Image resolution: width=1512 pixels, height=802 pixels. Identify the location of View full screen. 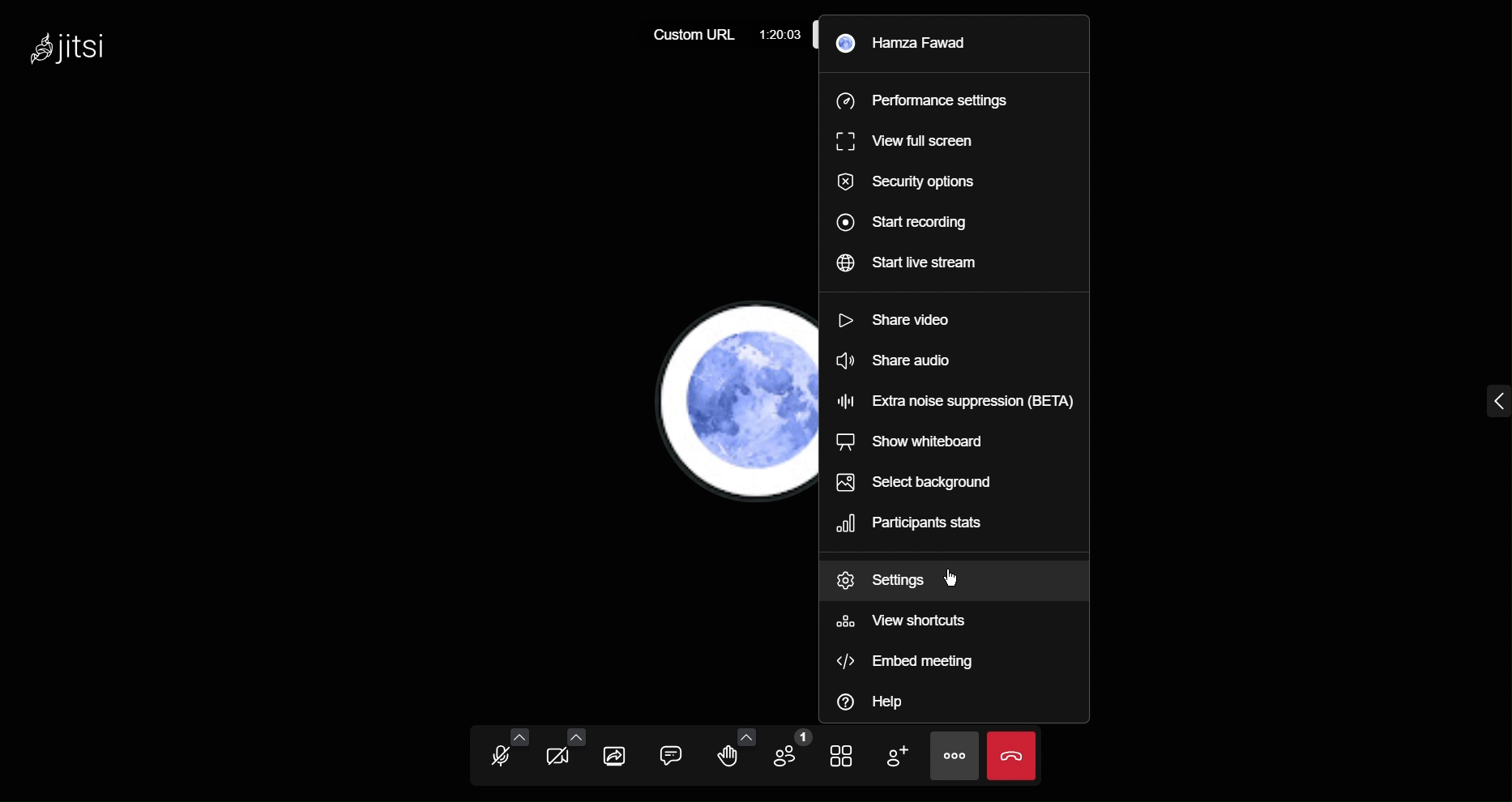
(911, 142).